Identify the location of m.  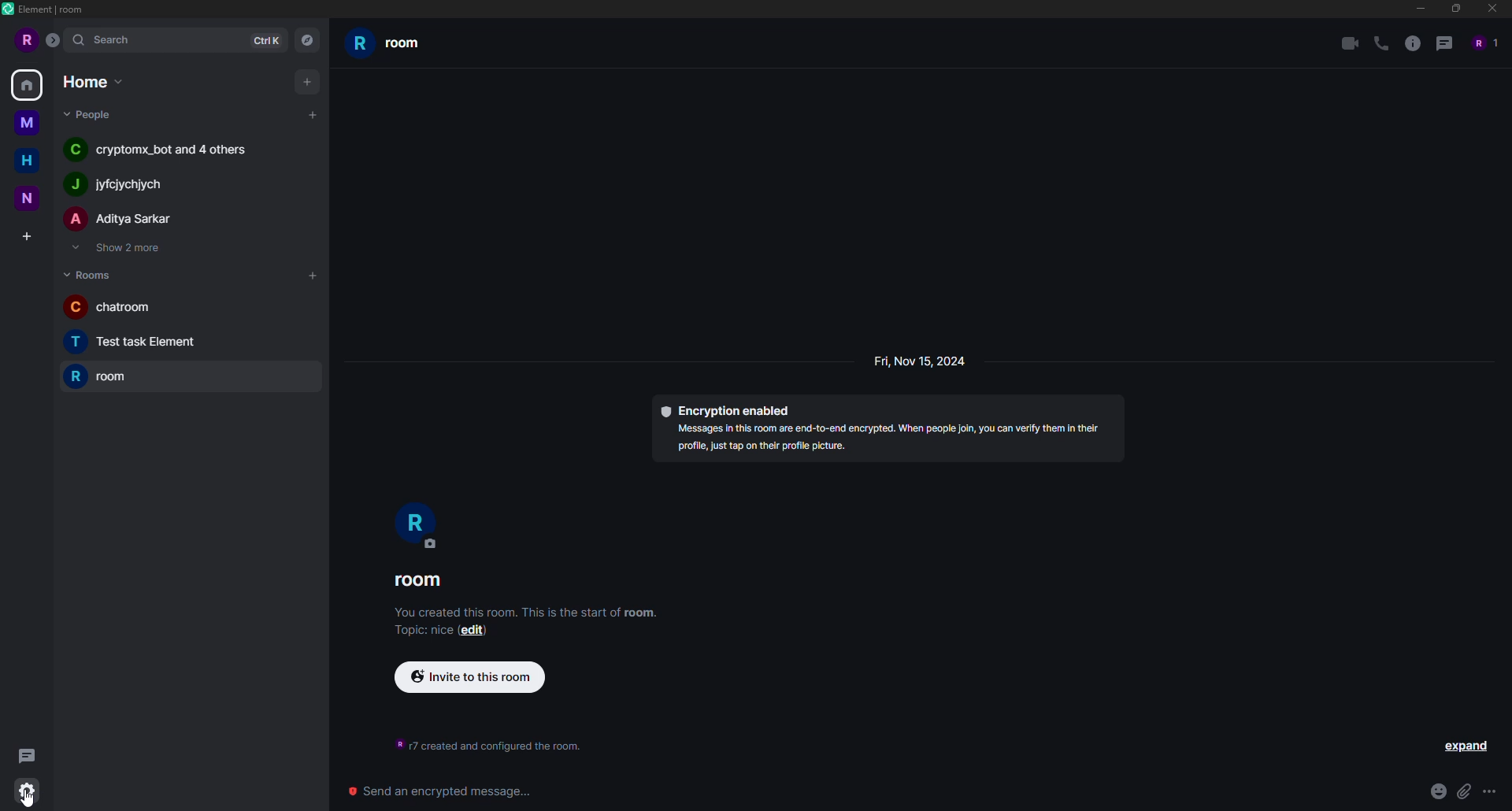
(24, 121).